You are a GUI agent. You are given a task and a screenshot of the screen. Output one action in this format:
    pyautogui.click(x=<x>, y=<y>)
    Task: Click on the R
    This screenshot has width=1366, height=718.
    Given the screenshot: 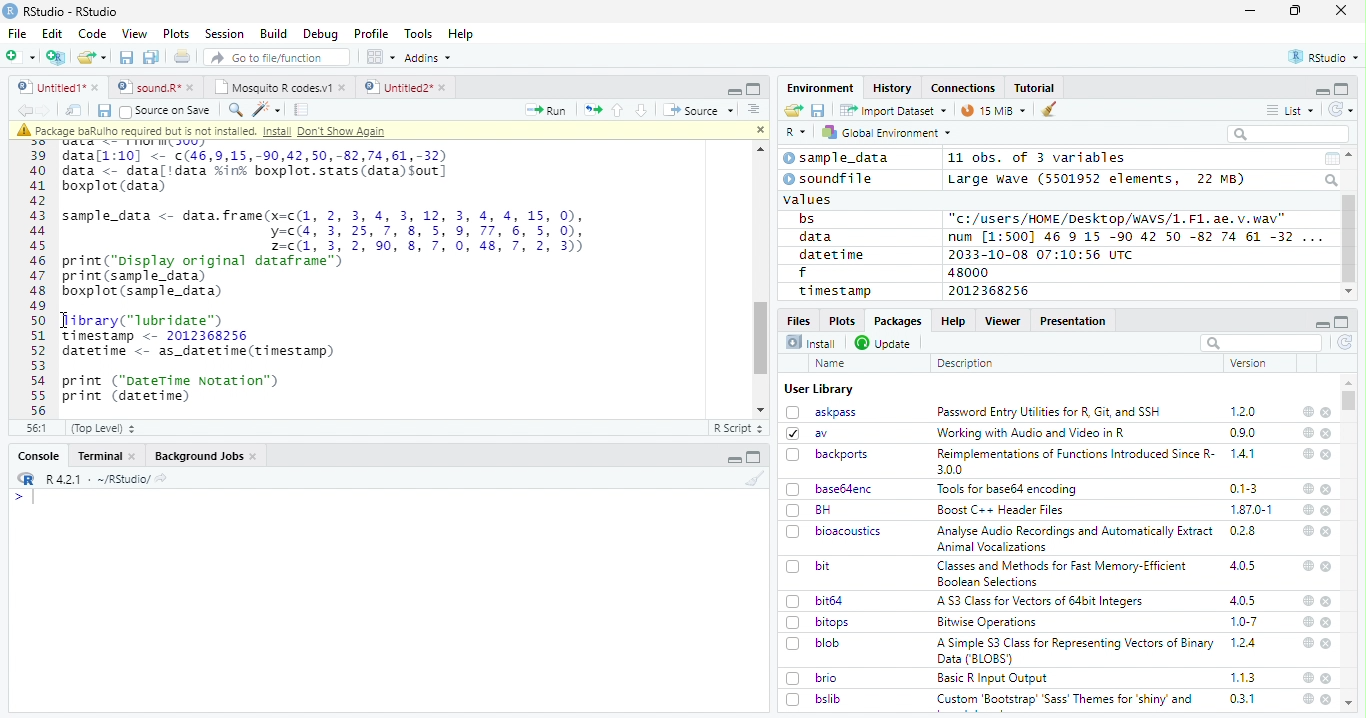 What is the action you would take?
    pyautogui.click(x=796, y=133)
    